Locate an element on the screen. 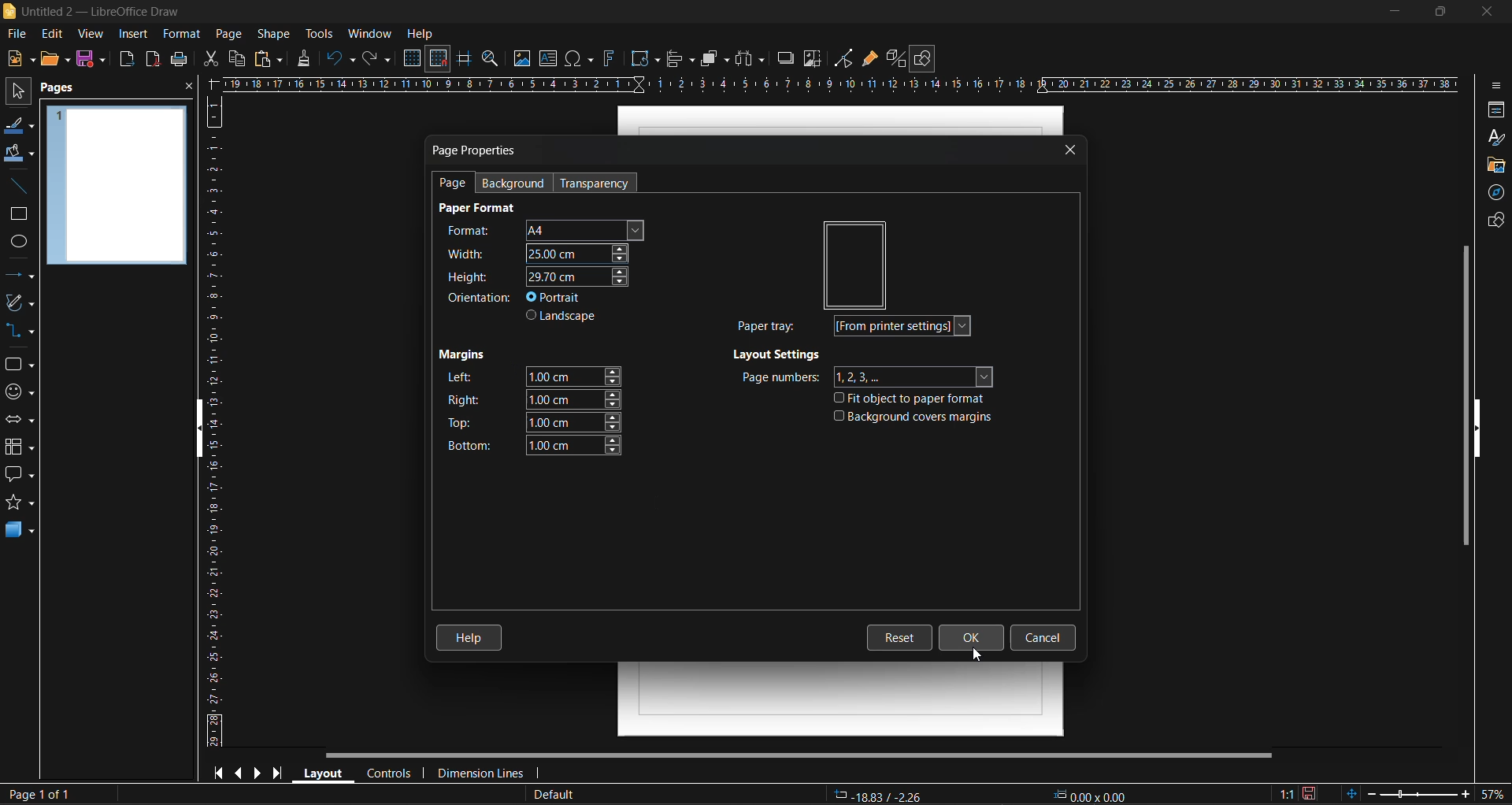  line color is located at coordinates (20, 128).